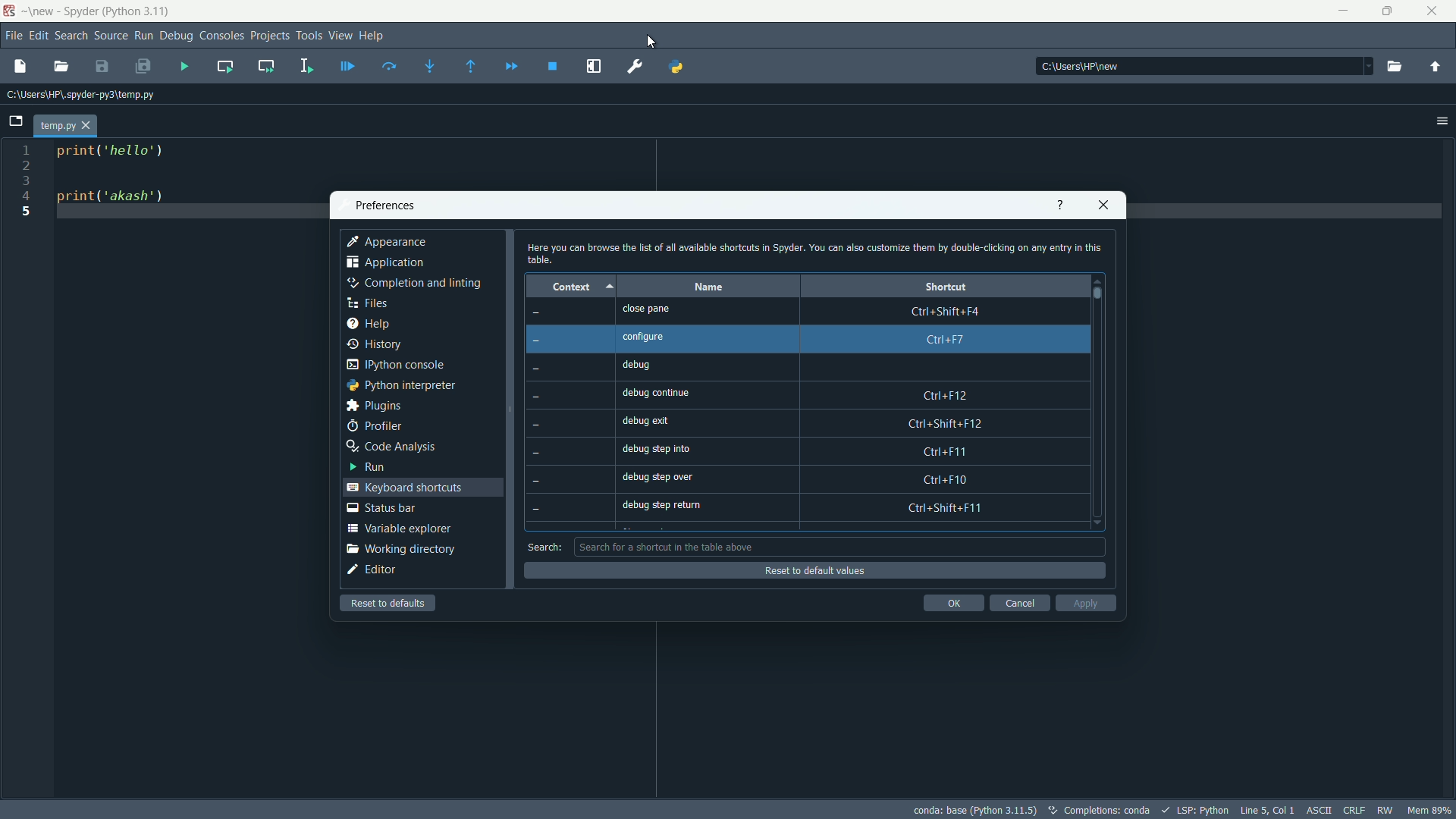  What do you see at coordinates (817, 449) in the screenshot?
I see `debug step into Ctri+F11` at bounding box center [817, 449].